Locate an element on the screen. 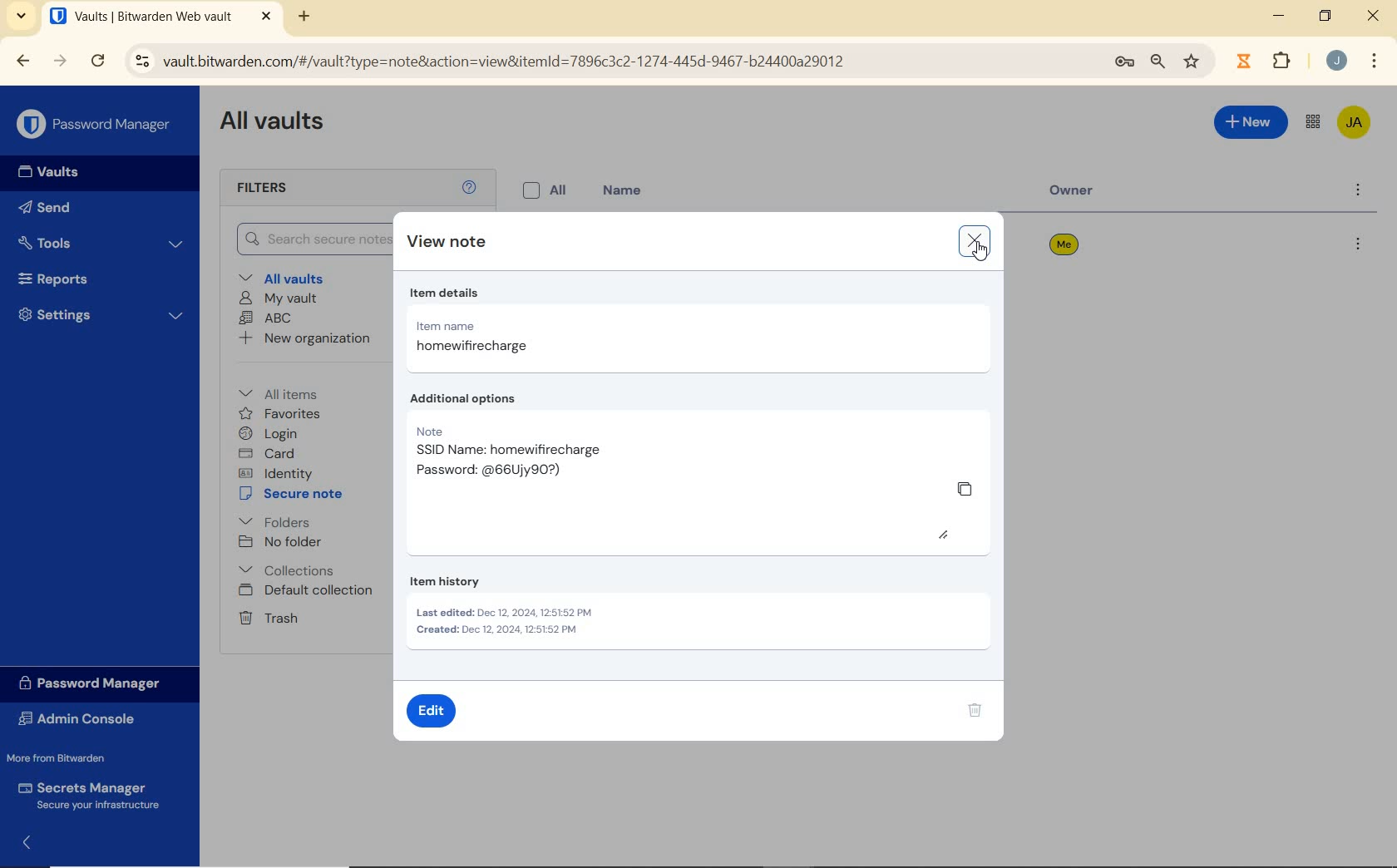 Image resolution: width=1397 pixels, height=868 pixels. Bitwarden Account is located at coordinates (1355, 124).